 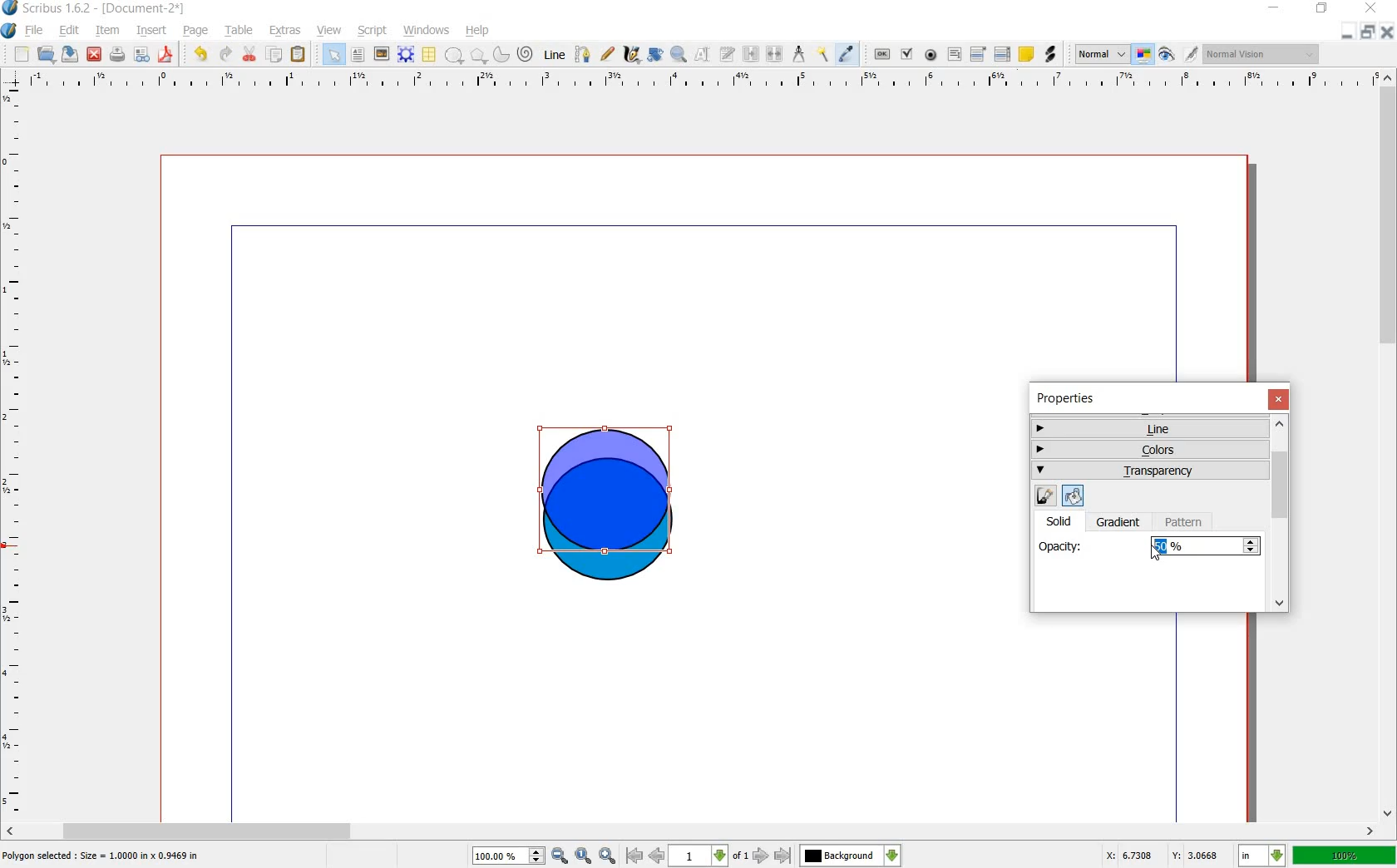 I want to click on edit fill color properties, so click(x=1071, y=495).